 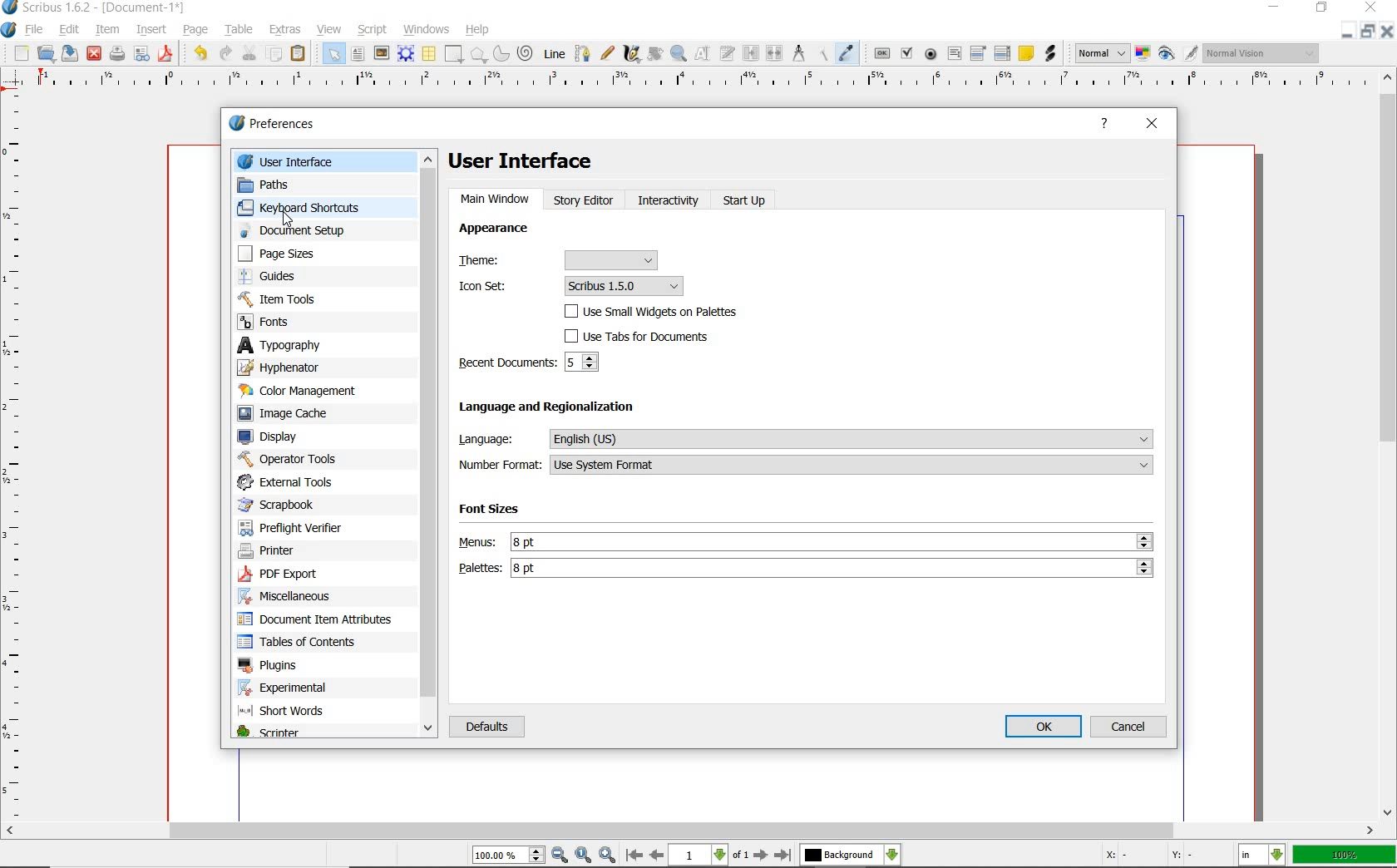 I want to click on arc, so click(x=500, y=55).